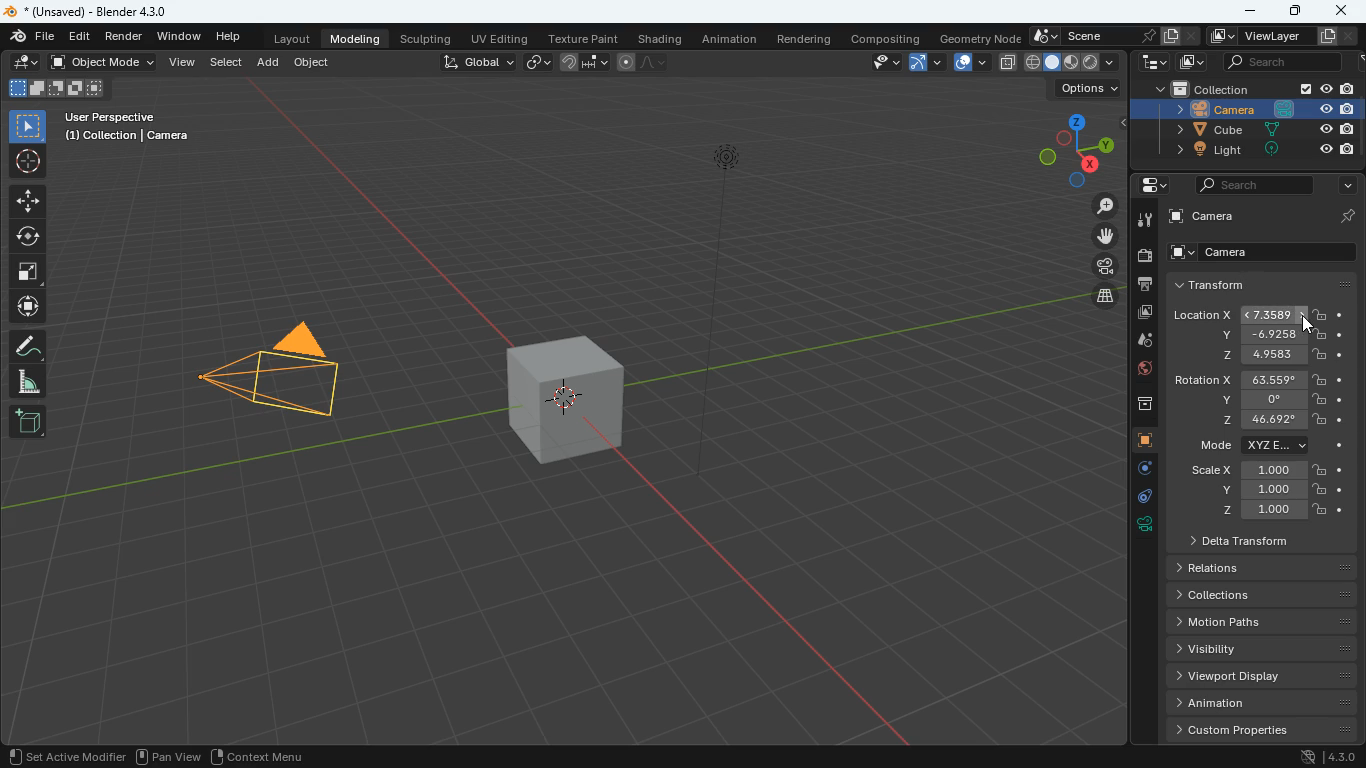 This screenshot has width=1366, height=768. Describe the element at coordinates (27, 126) in the screenshot. I see `select` at that location.